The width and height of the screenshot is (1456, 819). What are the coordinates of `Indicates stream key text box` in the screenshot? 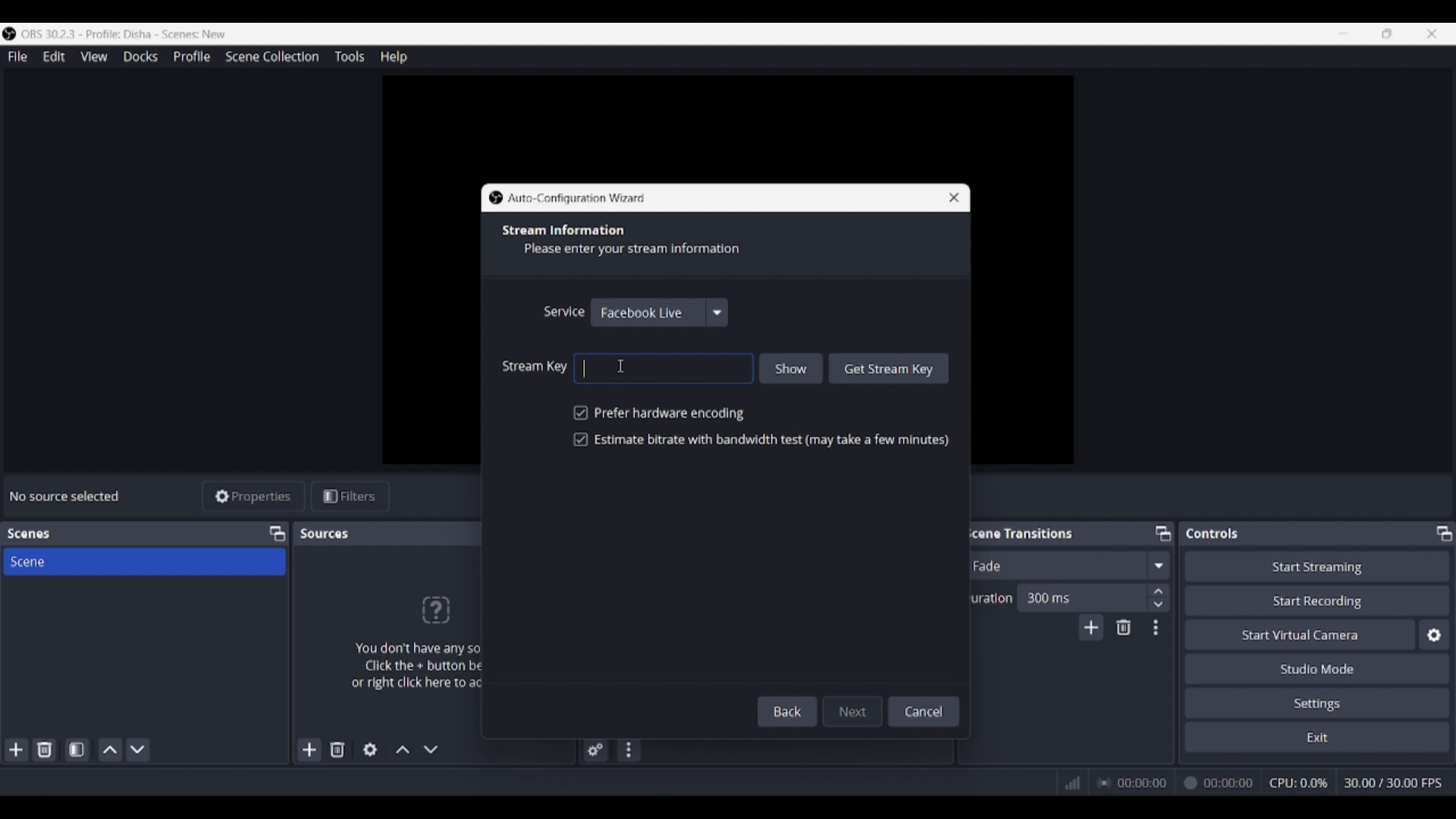 It's located at (535, 366).